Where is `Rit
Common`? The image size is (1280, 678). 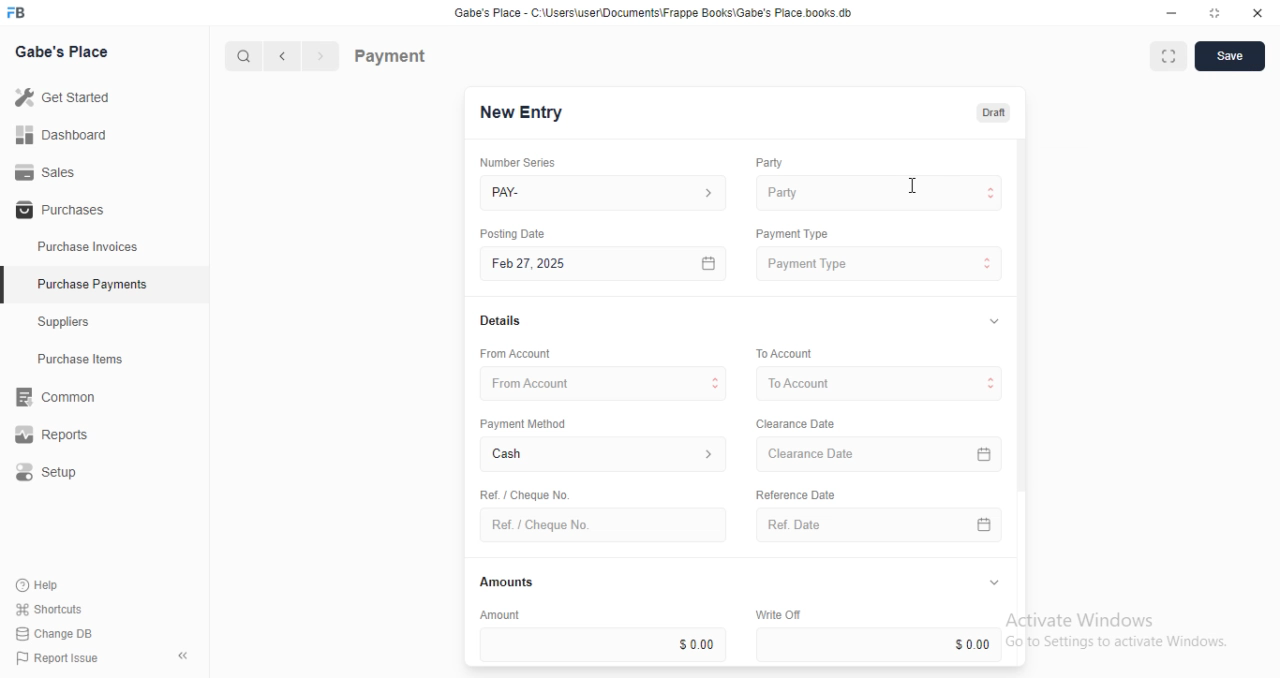
Rit
Common is located at coordinates (55, 398).